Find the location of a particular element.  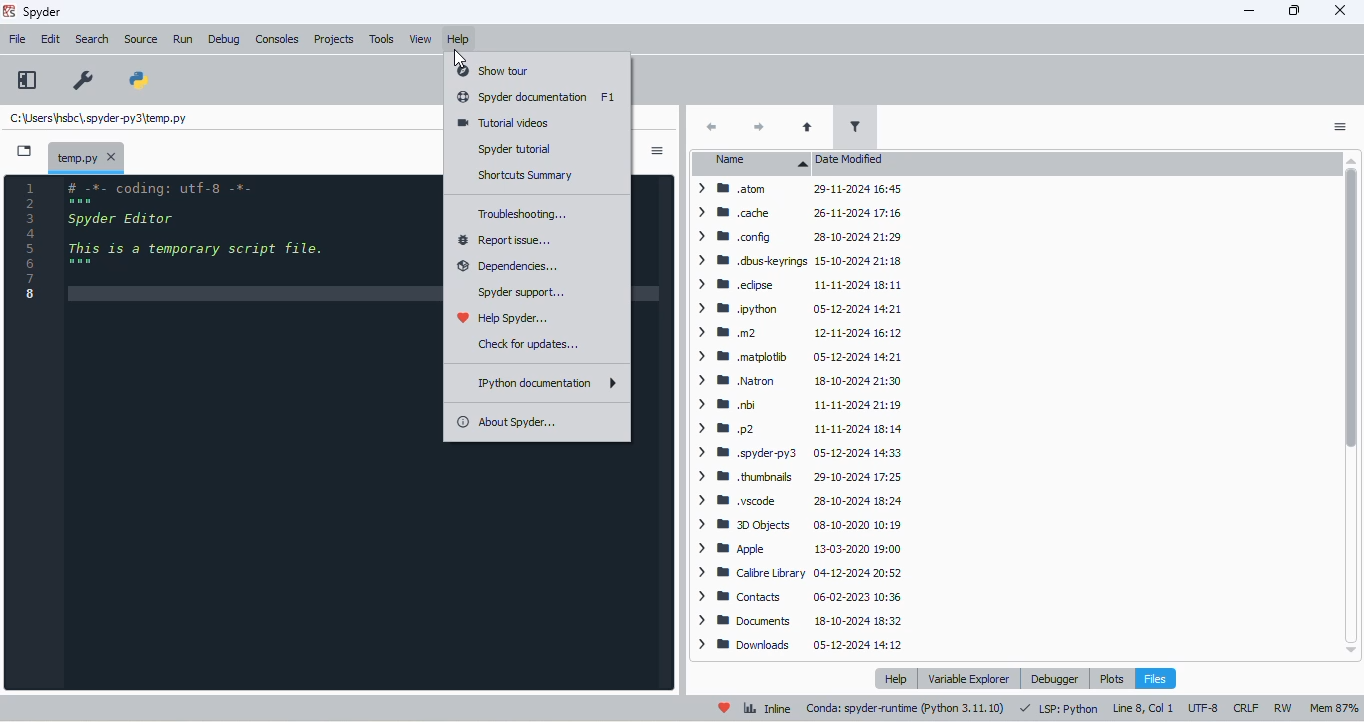

> mm .m2 12-11-2024 16:12 is located at coordinates (798, 331).